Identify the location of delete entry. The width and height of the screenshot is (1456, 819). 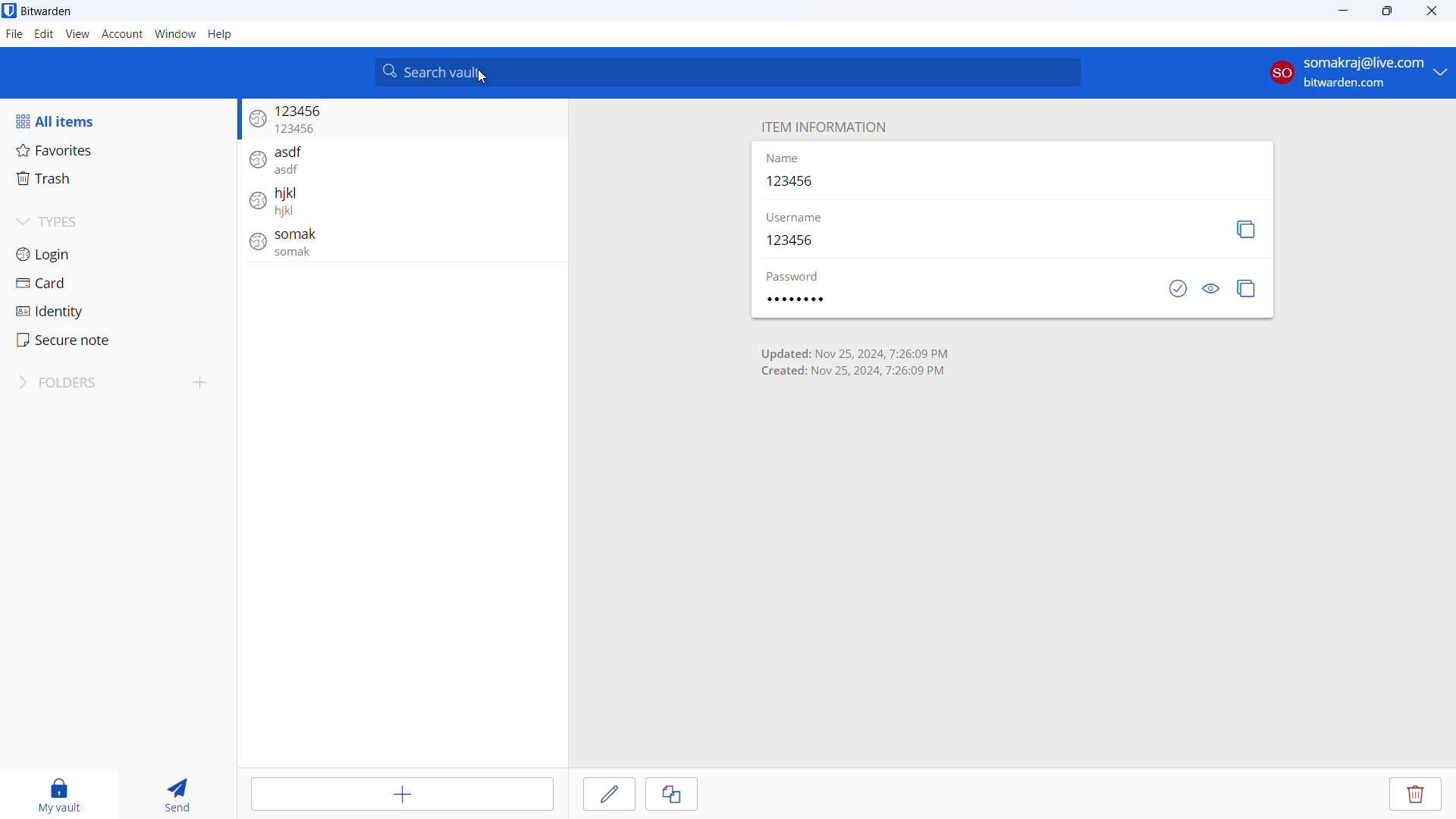
(1416, 794).